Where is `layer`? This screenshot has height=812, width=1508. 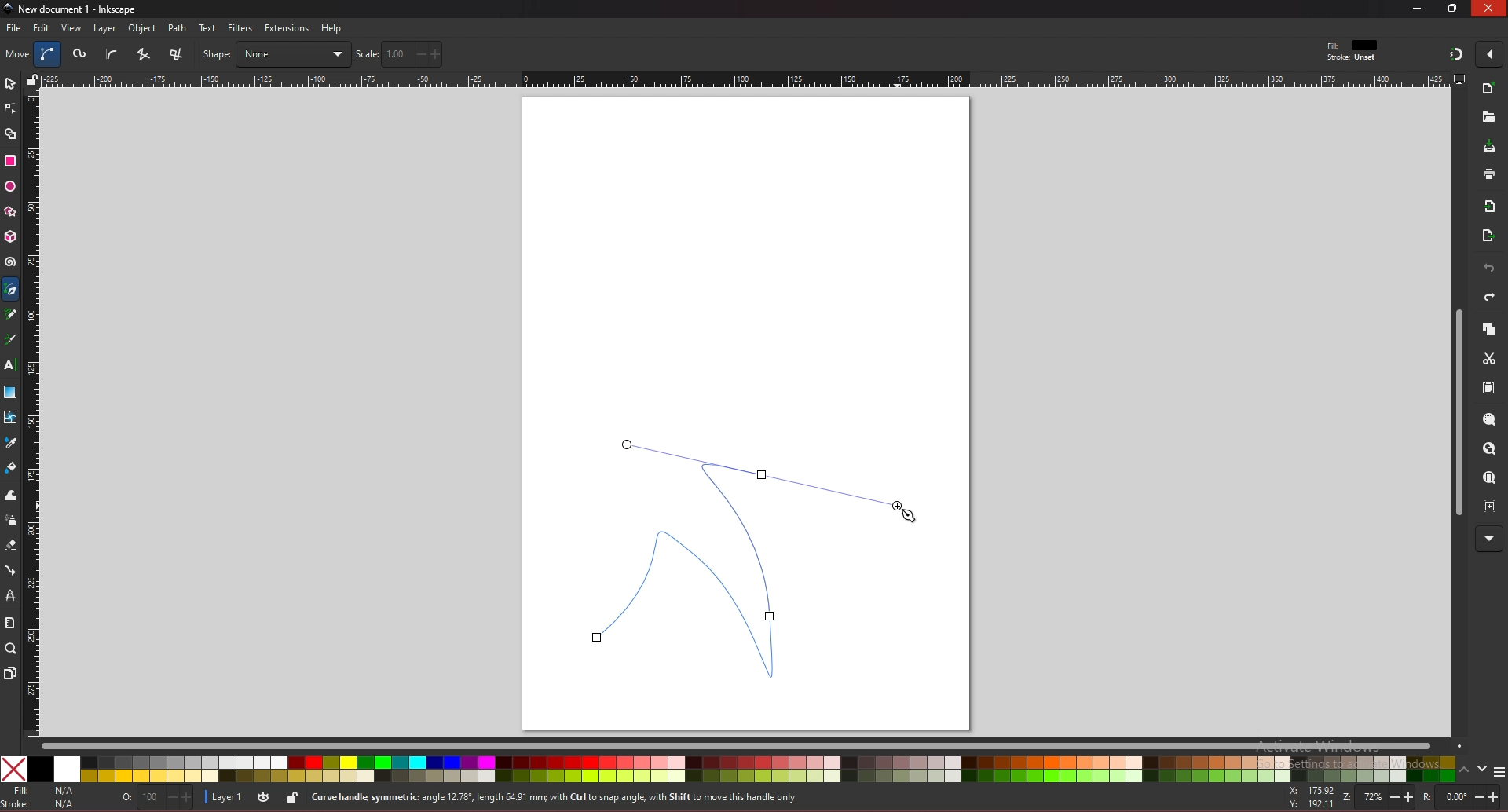
layer is located at coordinates (223, 798).